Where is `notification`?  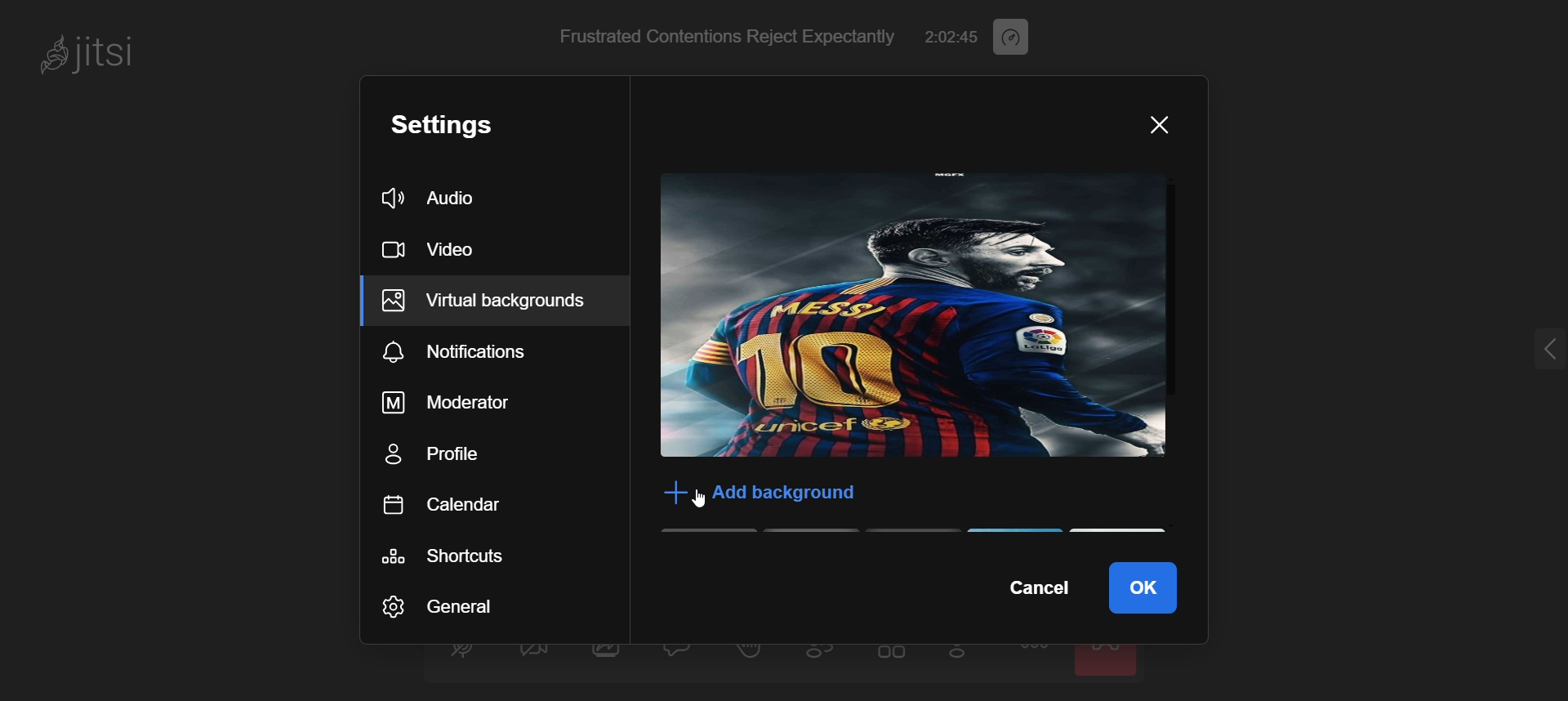 notification is located at coordinates (493, 350).